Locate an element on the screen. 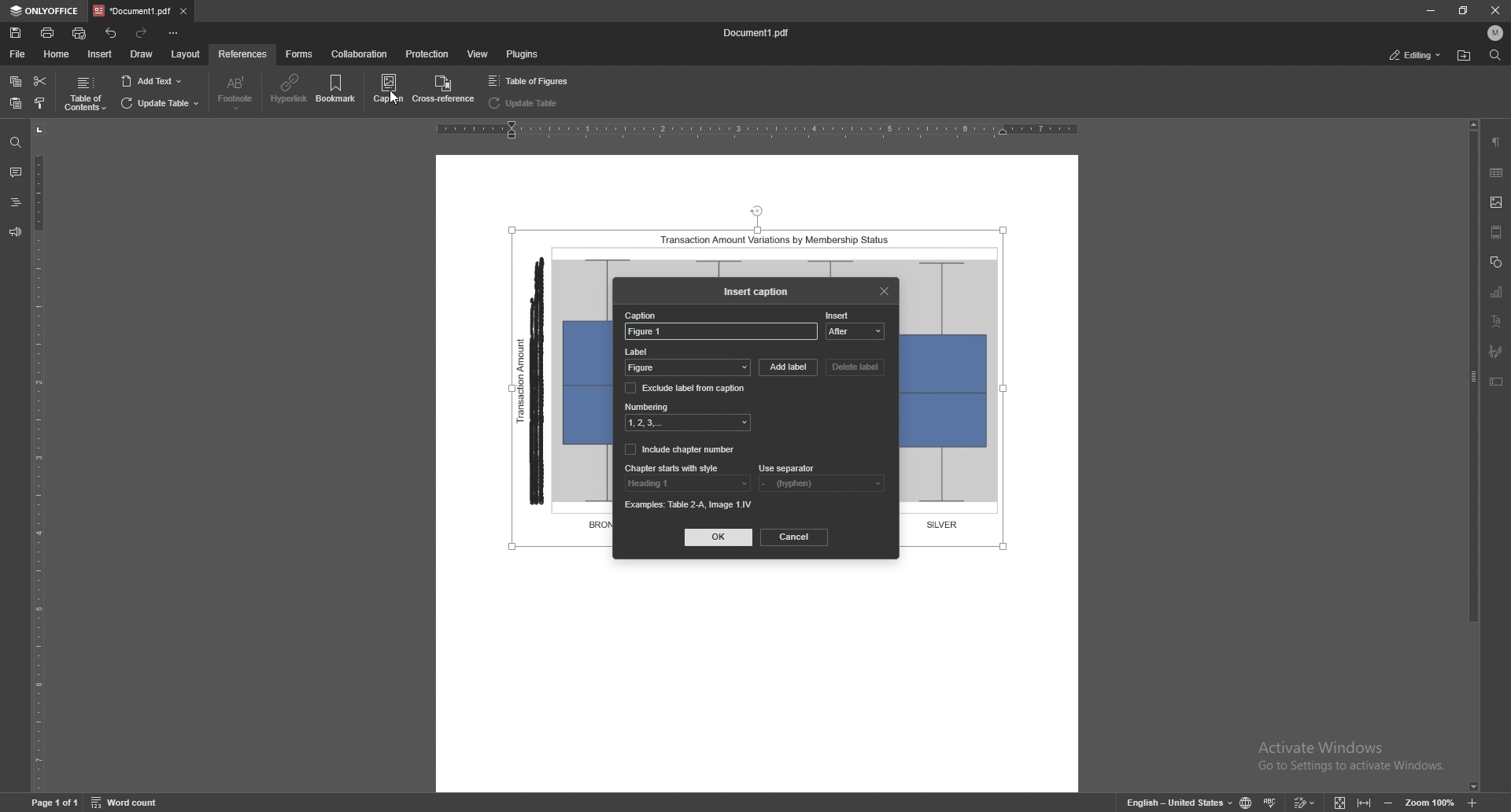 This screenshot has width=1511, height=812. text box is located at coordinates (1497, 381).